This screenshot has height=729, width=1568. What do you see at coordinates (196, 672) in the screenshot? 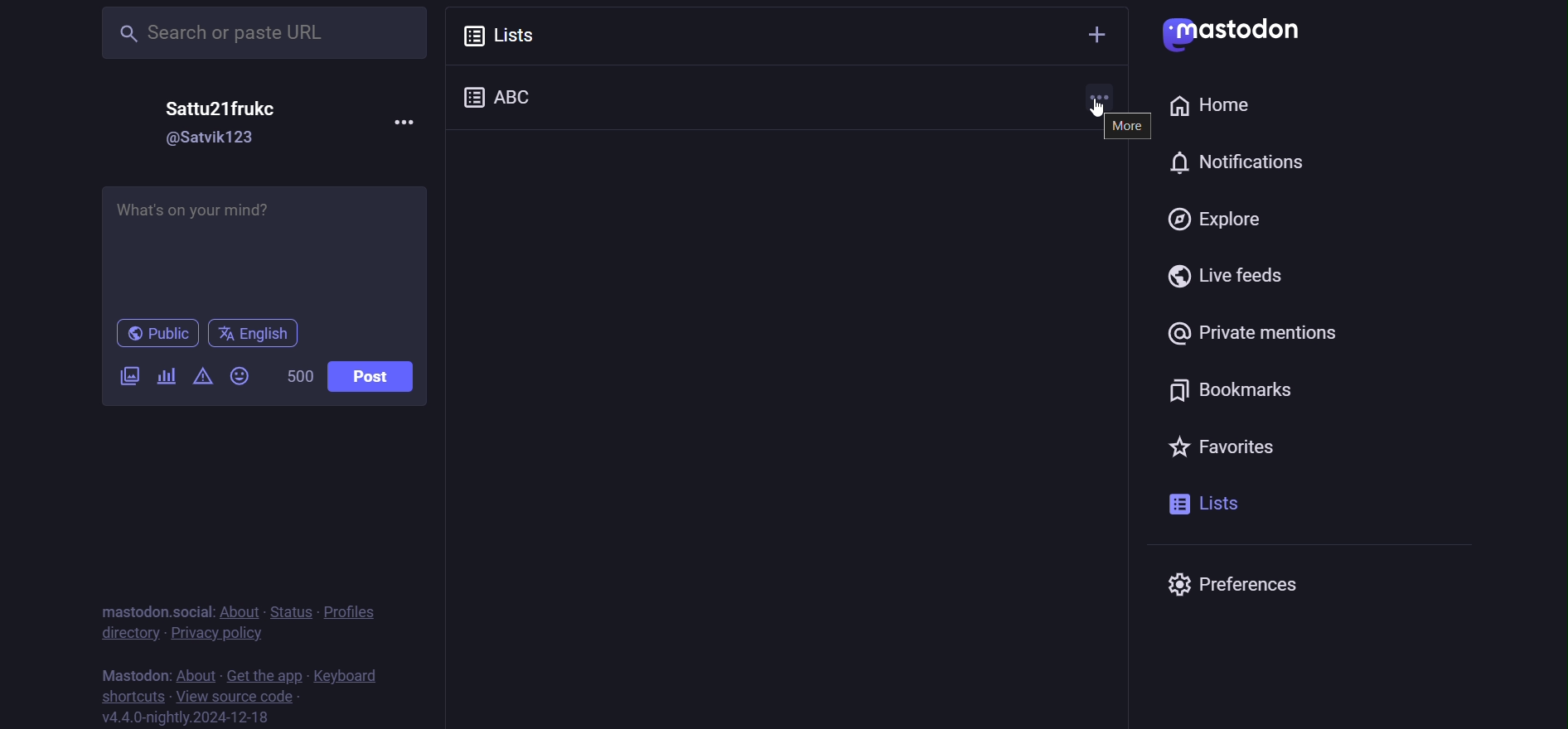
I see `about` at bounding box center [196, 672].